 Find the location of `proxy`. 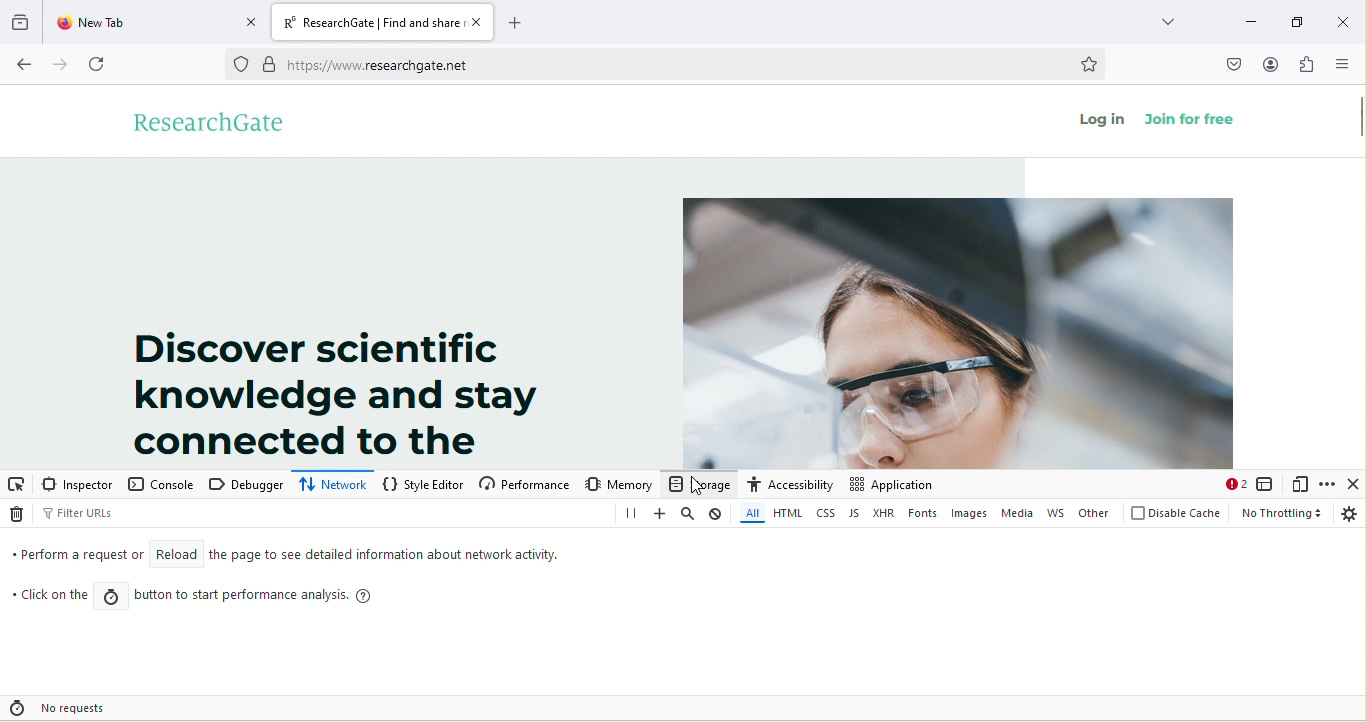

proxy is located at coordinates (238, 63).